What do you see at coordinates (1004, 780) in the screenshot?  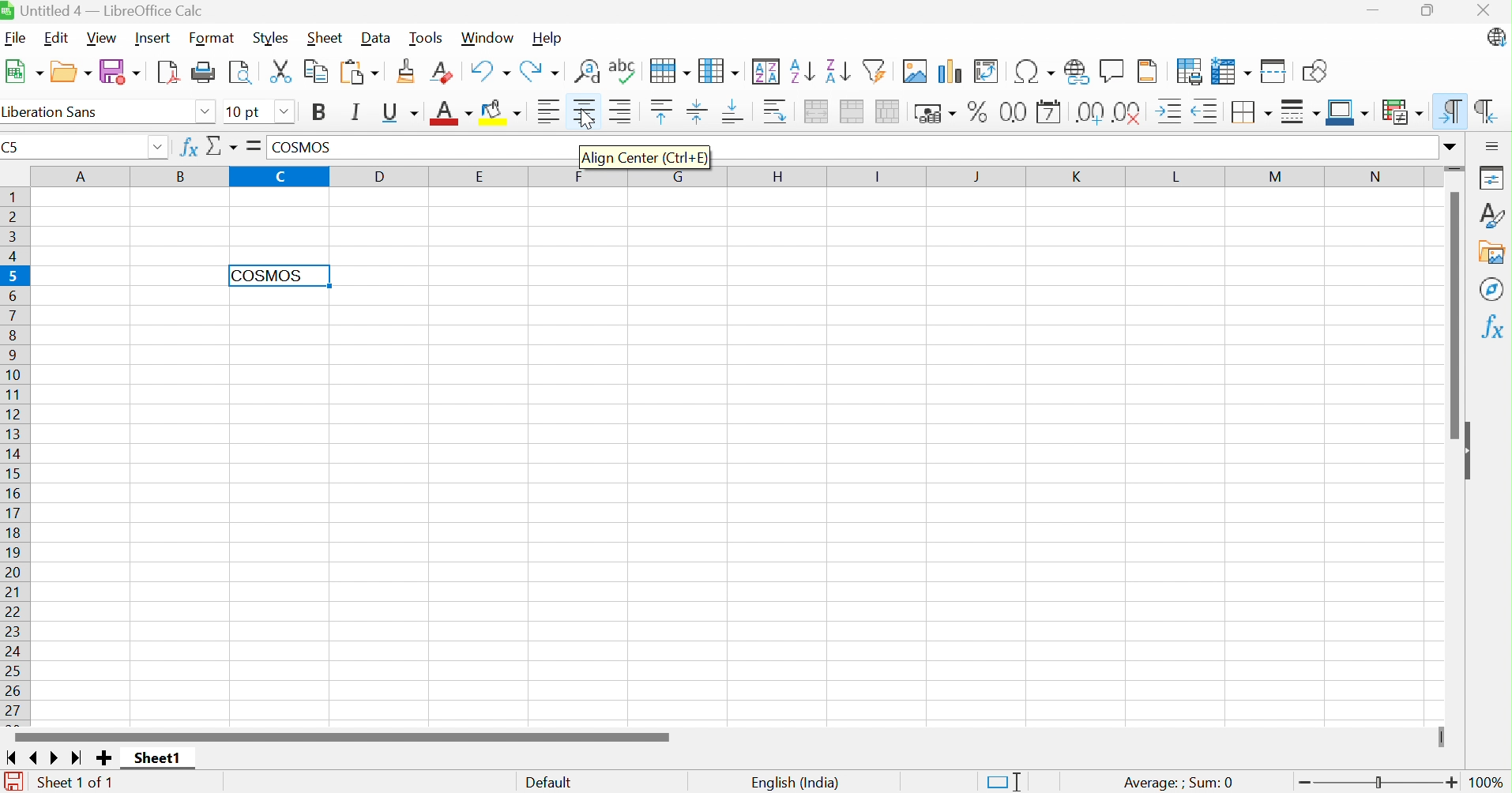 I see `Standard Selection. Click to change the selection mode.` at bounding box center [1004, 780].